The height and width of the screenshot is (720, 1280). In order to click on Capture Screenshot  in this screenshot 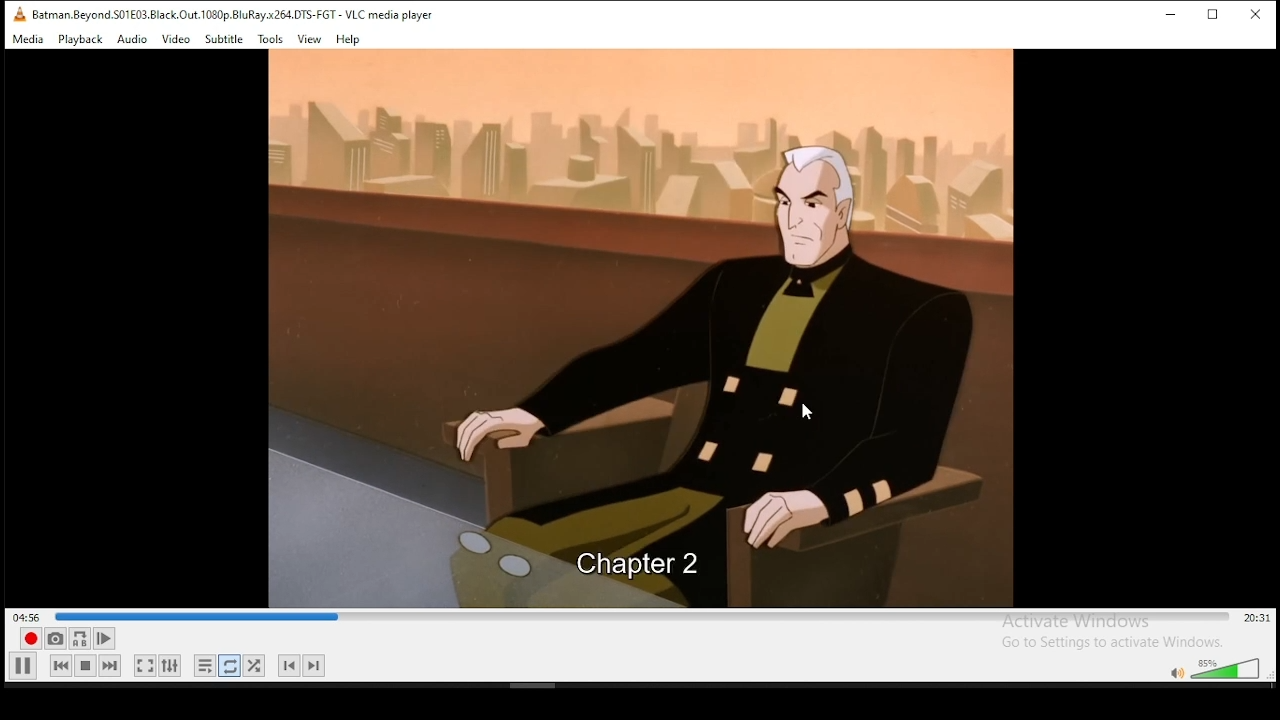, I will do `click(55, 638)`.